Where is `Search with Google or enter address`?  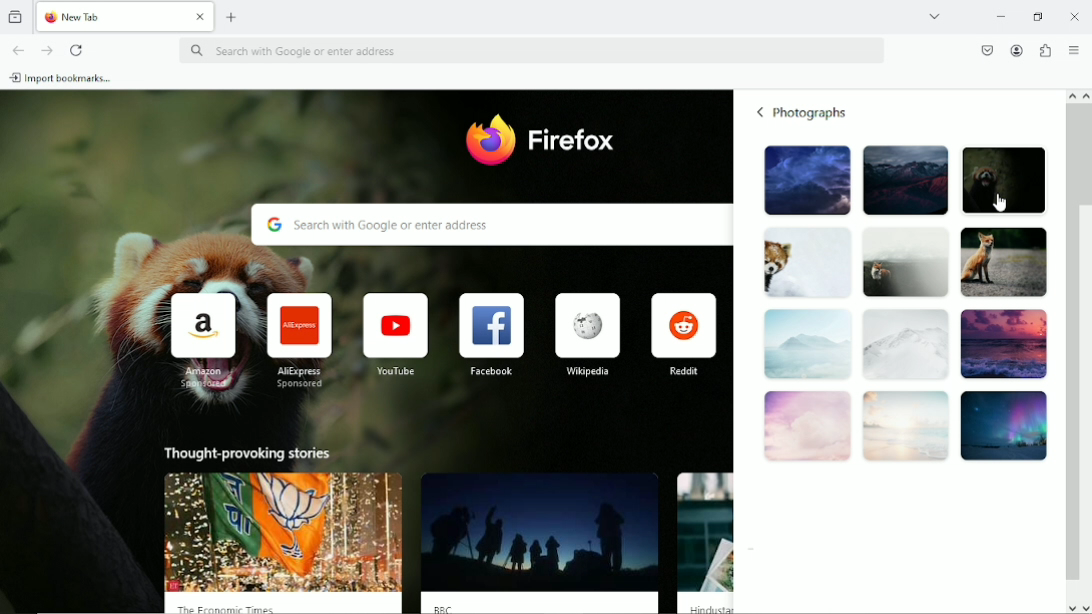
Search with Google or enter address is located at coordinates (532, 51).